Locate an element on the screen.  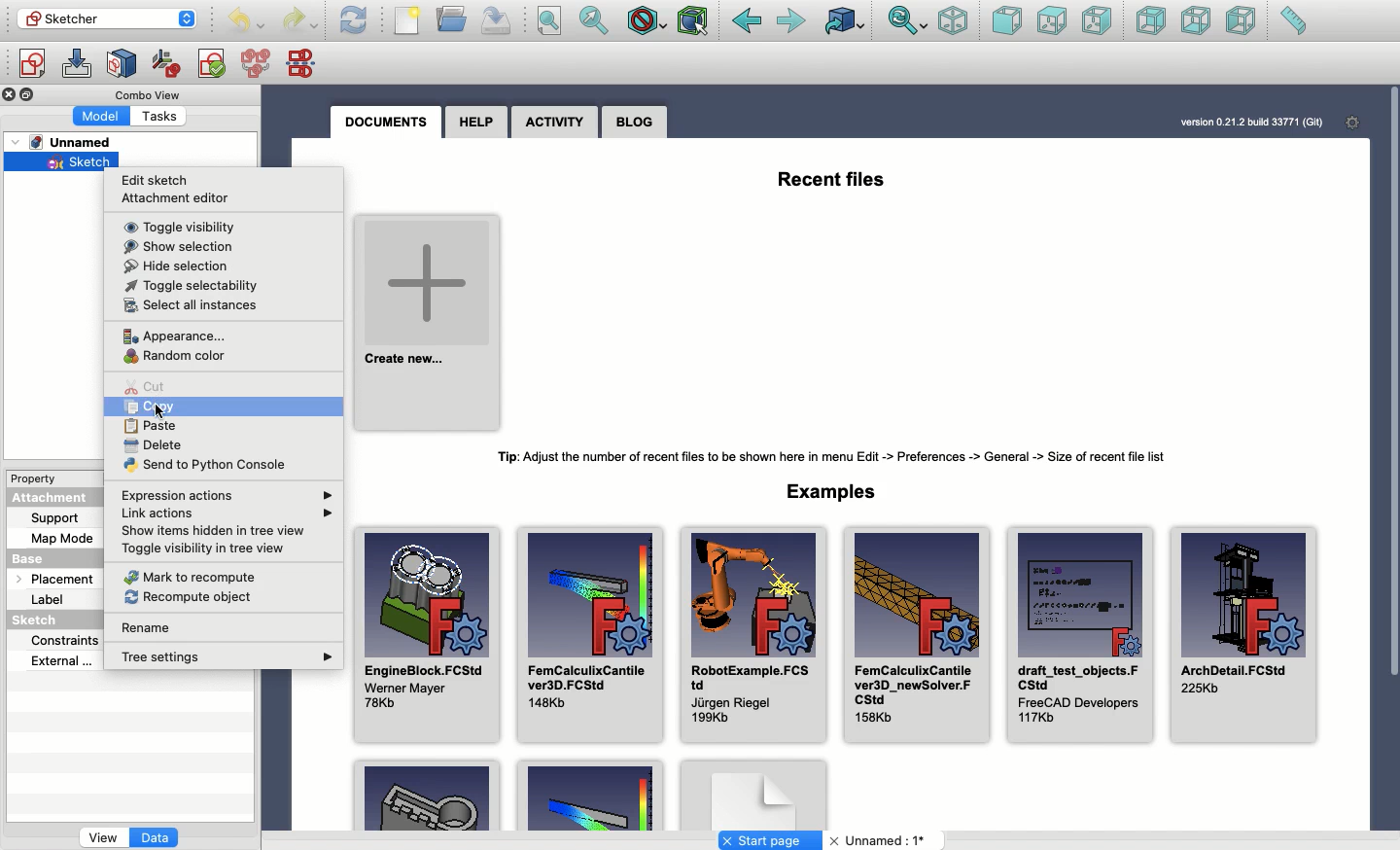
Base is located at coordinates (47, 555).